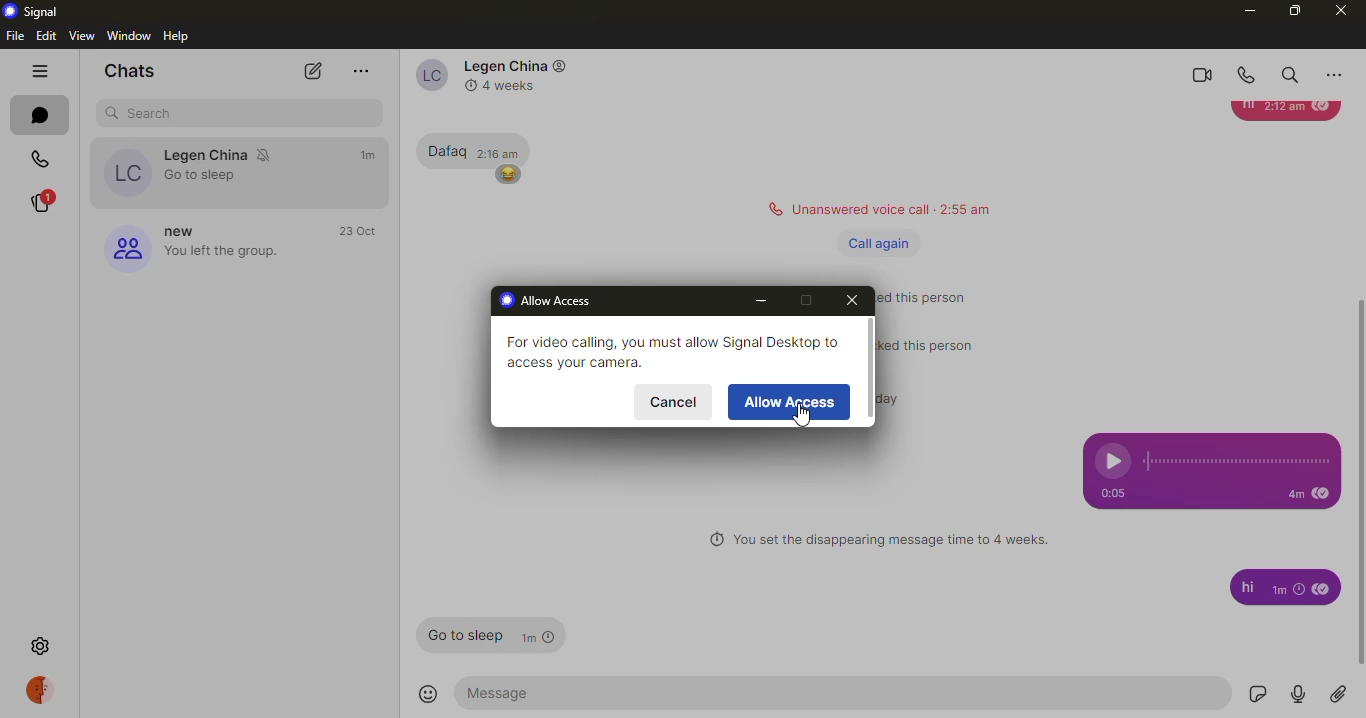  I want to click on profile, so click(43, 689).